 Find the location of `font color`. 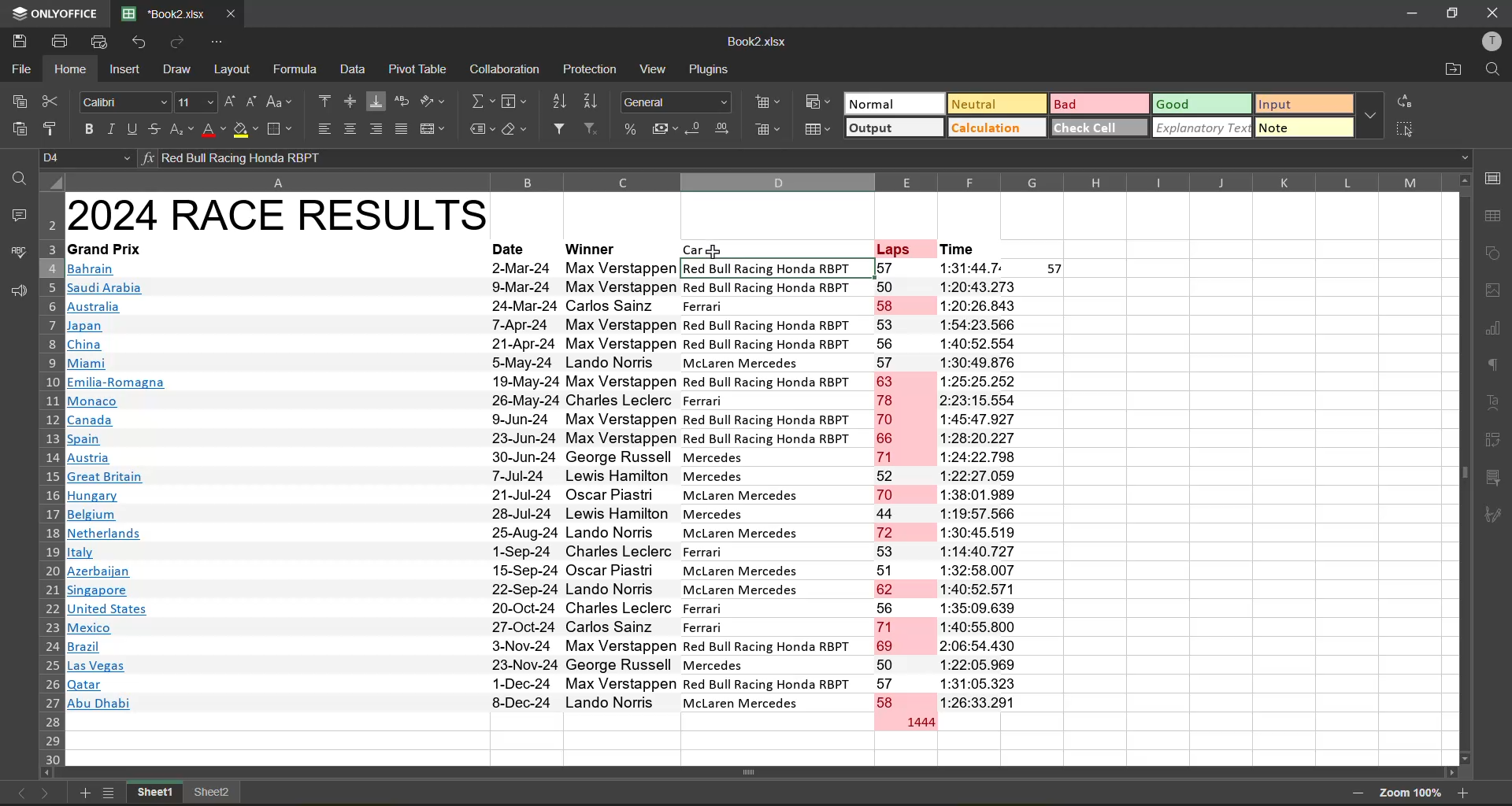

font color is located at coordinates (212, 130).